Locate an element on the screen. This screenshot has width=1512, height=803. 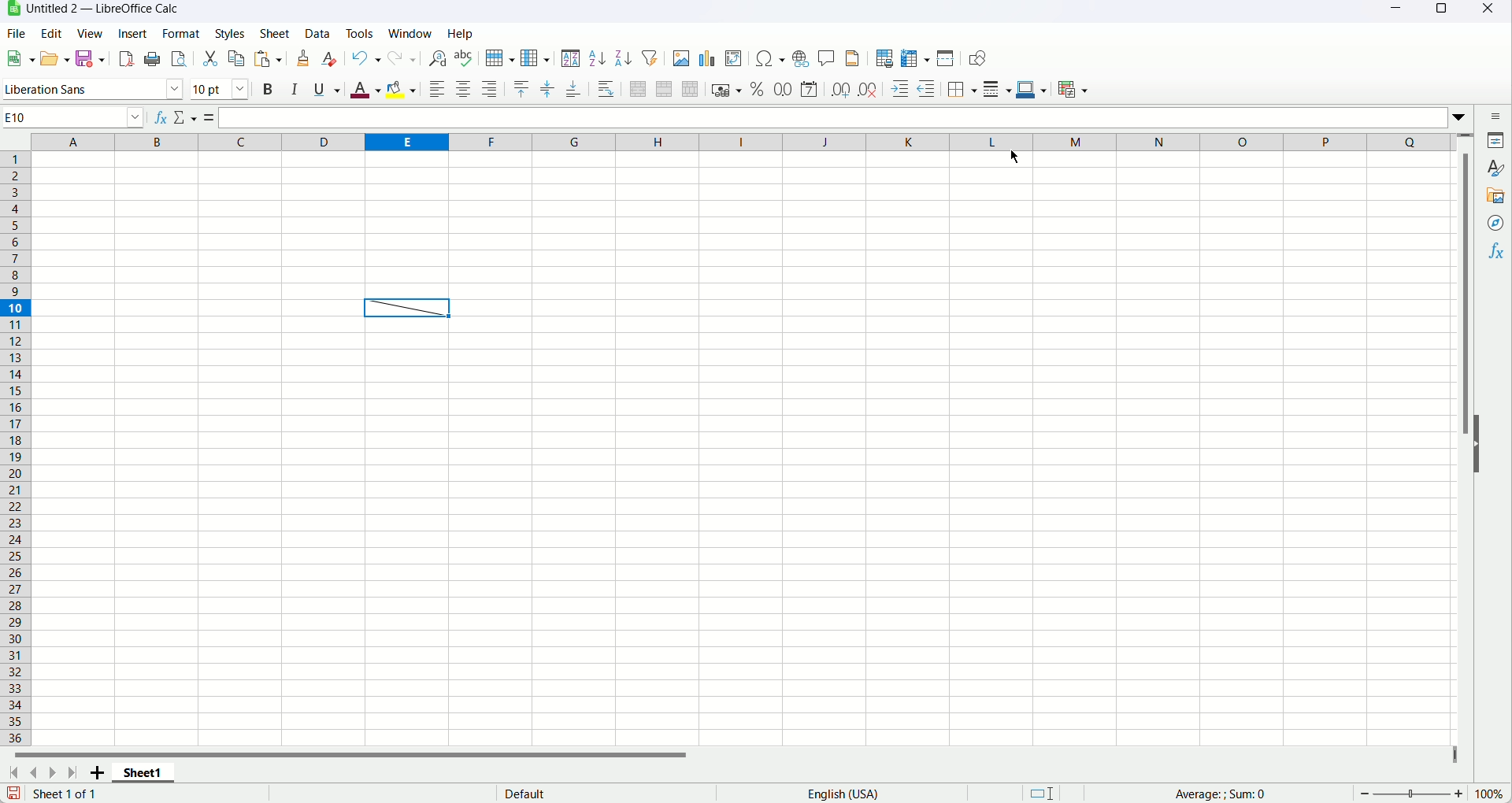
Horizontal scroll bar is located at coordinates (372, 757).